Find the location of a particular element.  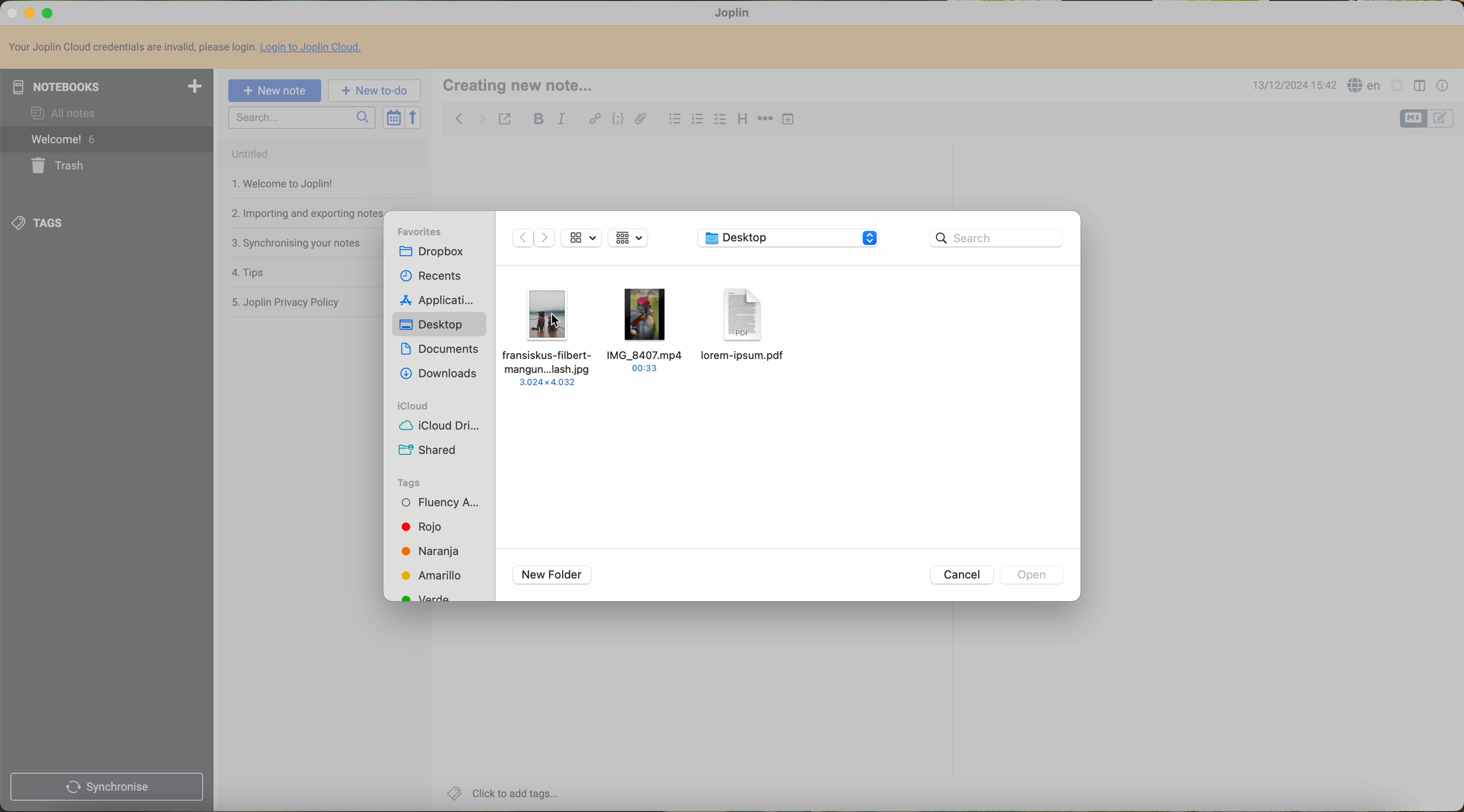

file size is located at coordinates (585, 238).